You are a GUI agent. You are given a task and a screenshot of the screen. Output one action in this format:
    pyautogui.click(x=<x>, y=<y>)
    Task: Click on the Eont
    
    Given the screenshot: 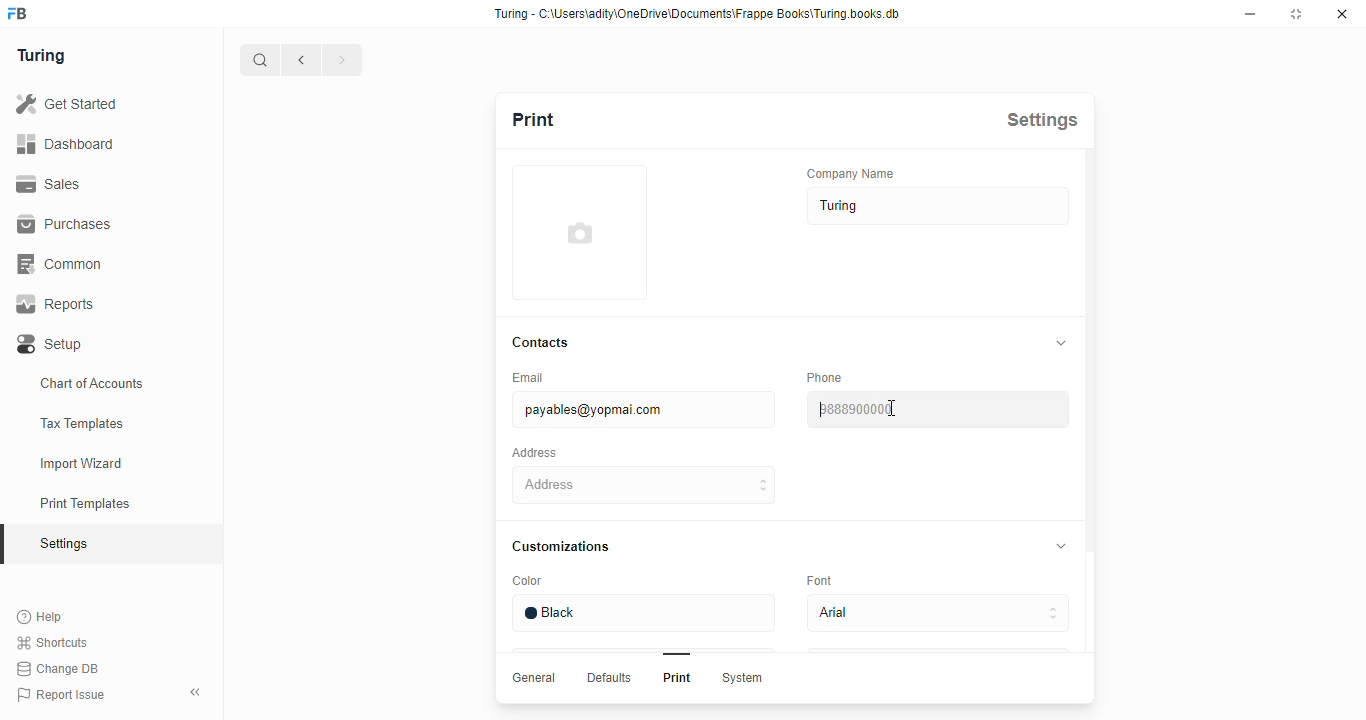 What is the action you would take?
    pyautogui.click(x=822, y=578)
    